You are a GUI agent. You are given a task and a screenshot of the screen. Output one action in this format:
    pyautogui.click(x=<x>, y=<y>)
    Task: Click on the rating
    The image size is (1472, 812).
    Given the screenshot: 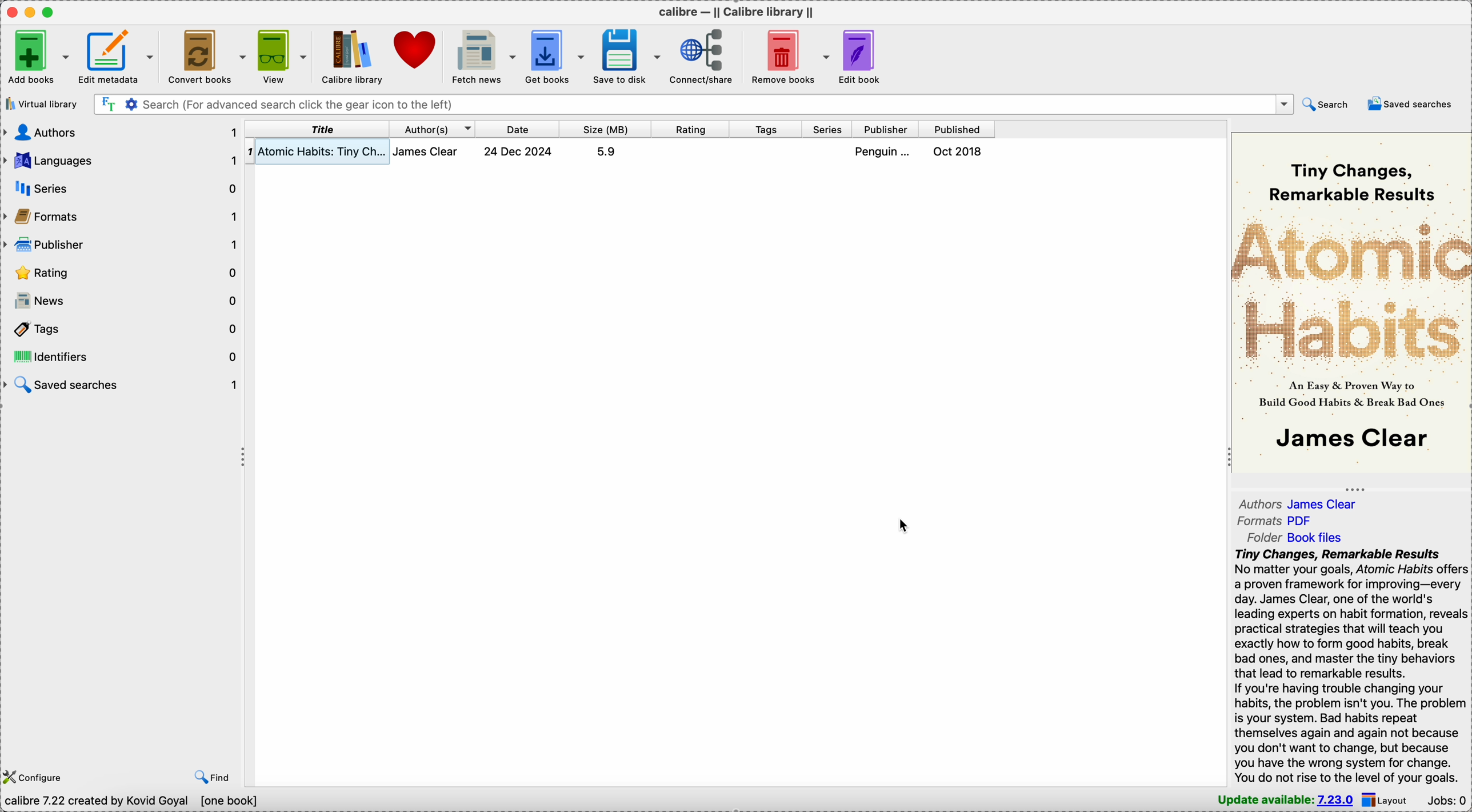 What is the action you would take?
    pyautogui.click(x=122, y=274)
    